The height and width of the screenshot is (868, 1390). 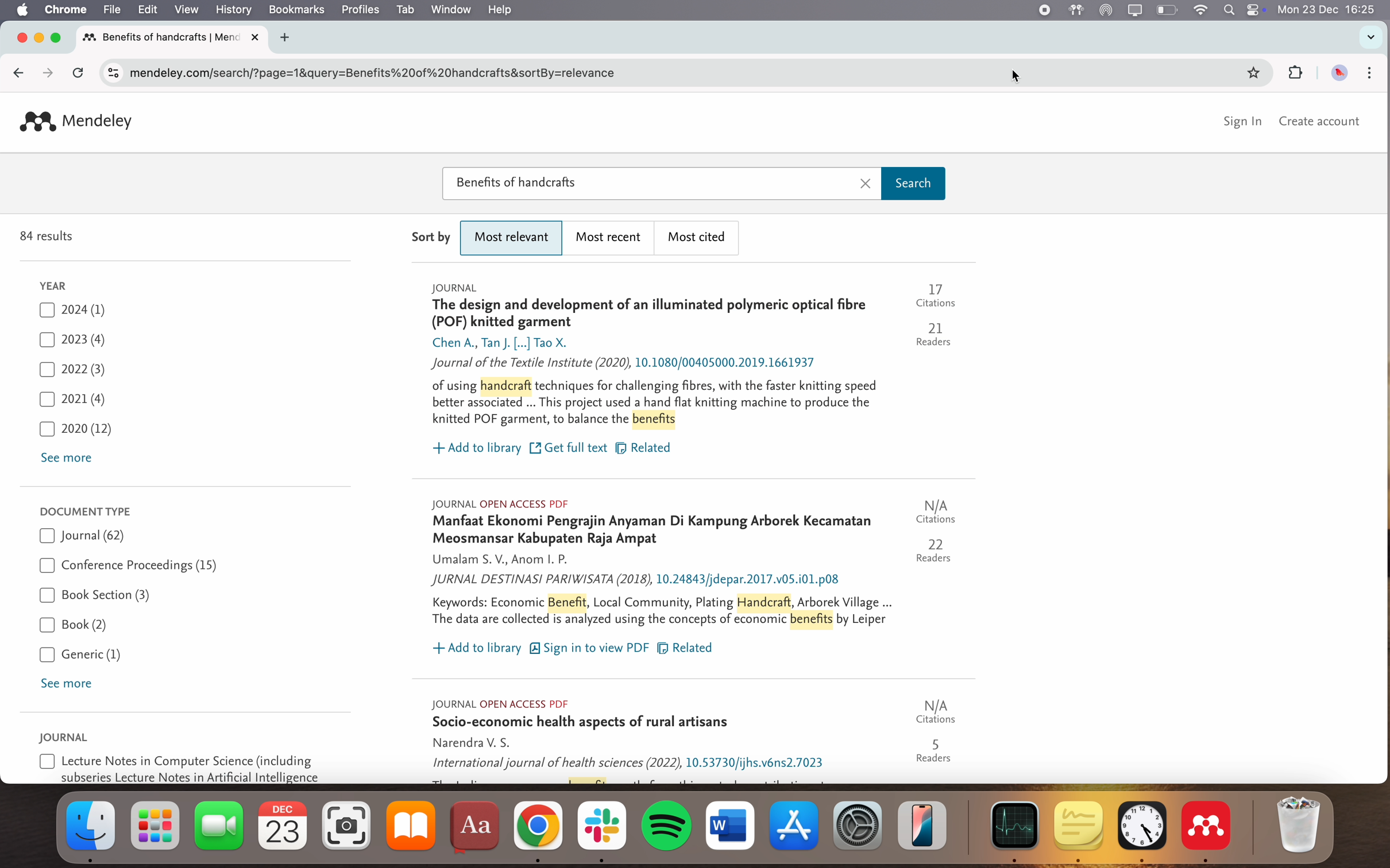 What do you see at coordinates (73, 398) in the screenshot?
I see `2021` at bounding box center [73, 398].